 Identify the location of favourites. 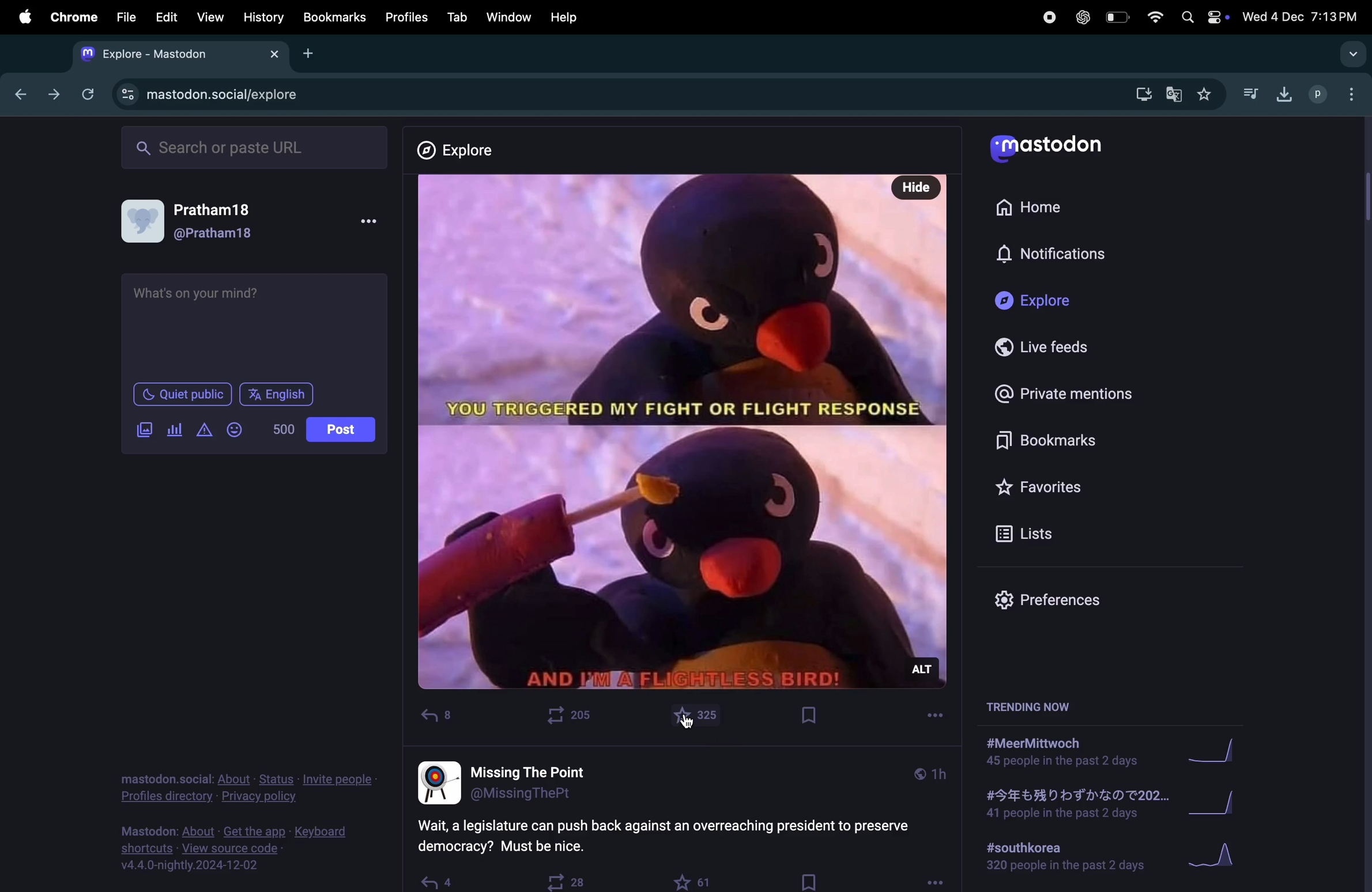
(1057, 486).